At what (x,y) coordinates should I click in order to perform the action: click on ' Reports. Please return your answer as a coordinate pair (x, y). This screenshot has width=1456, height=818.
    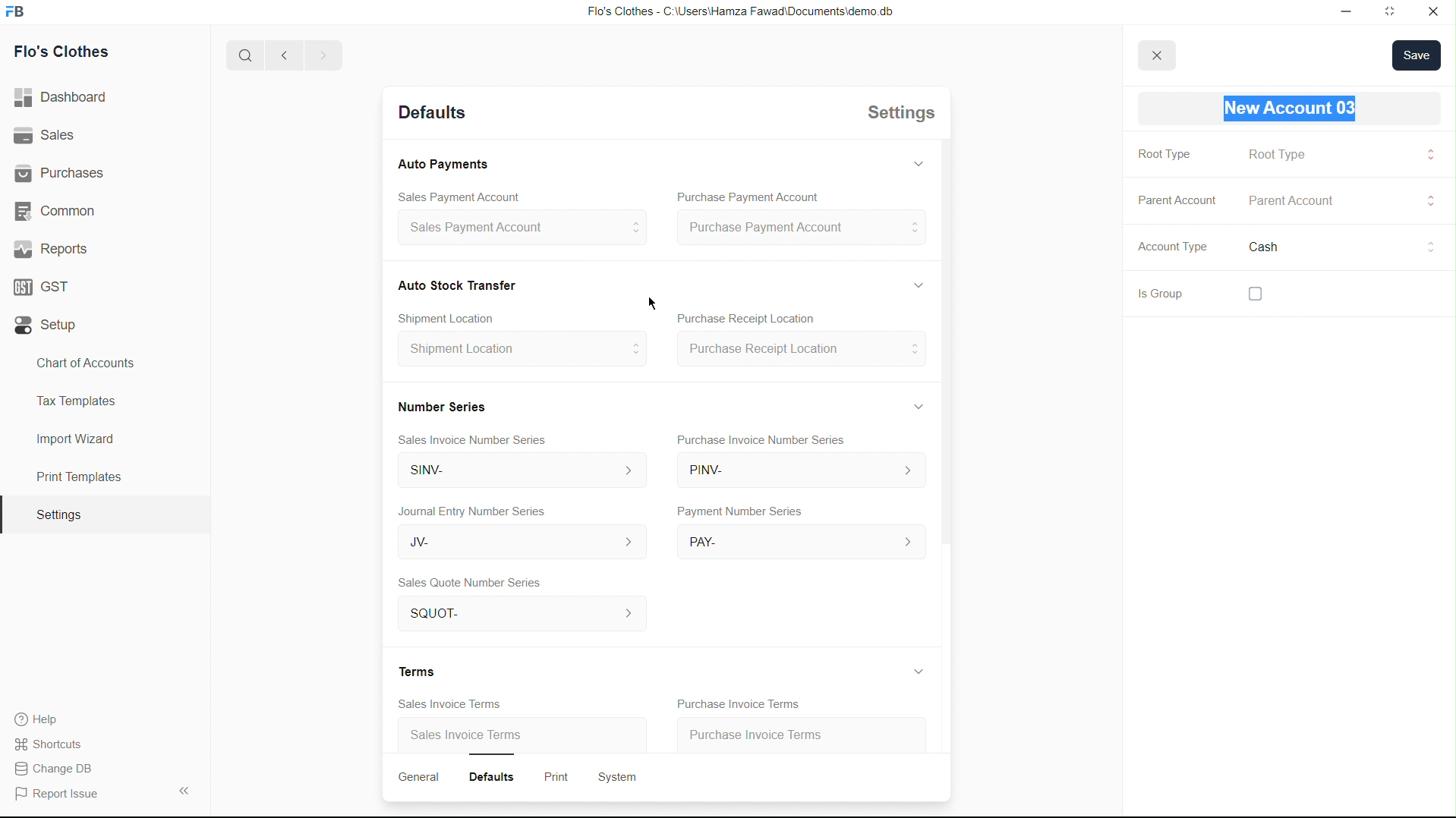
    Looking at the image, I should click on (54, 248).